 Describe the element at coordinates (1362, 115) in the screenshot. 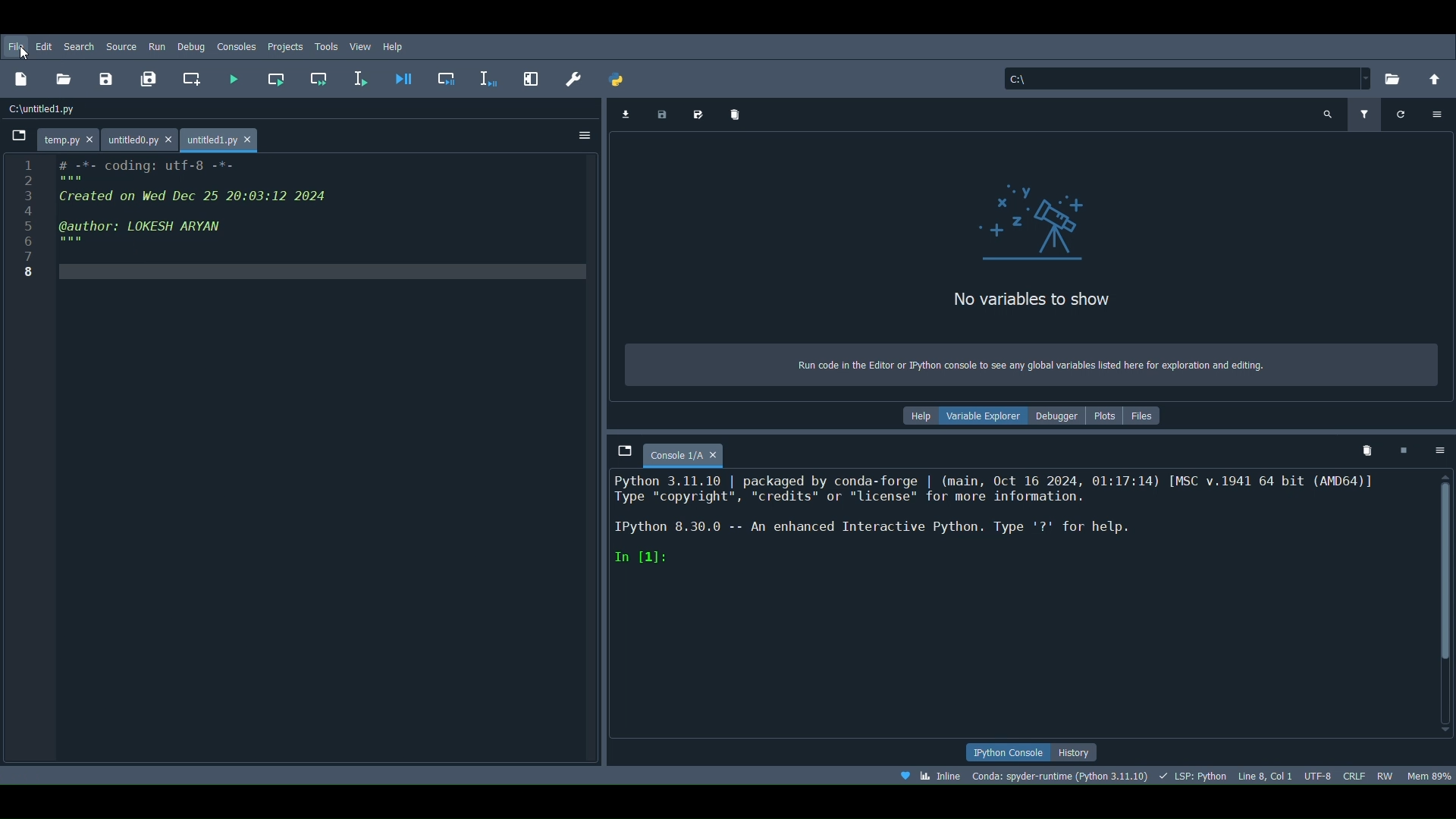

I see `Filter variables` at that location.